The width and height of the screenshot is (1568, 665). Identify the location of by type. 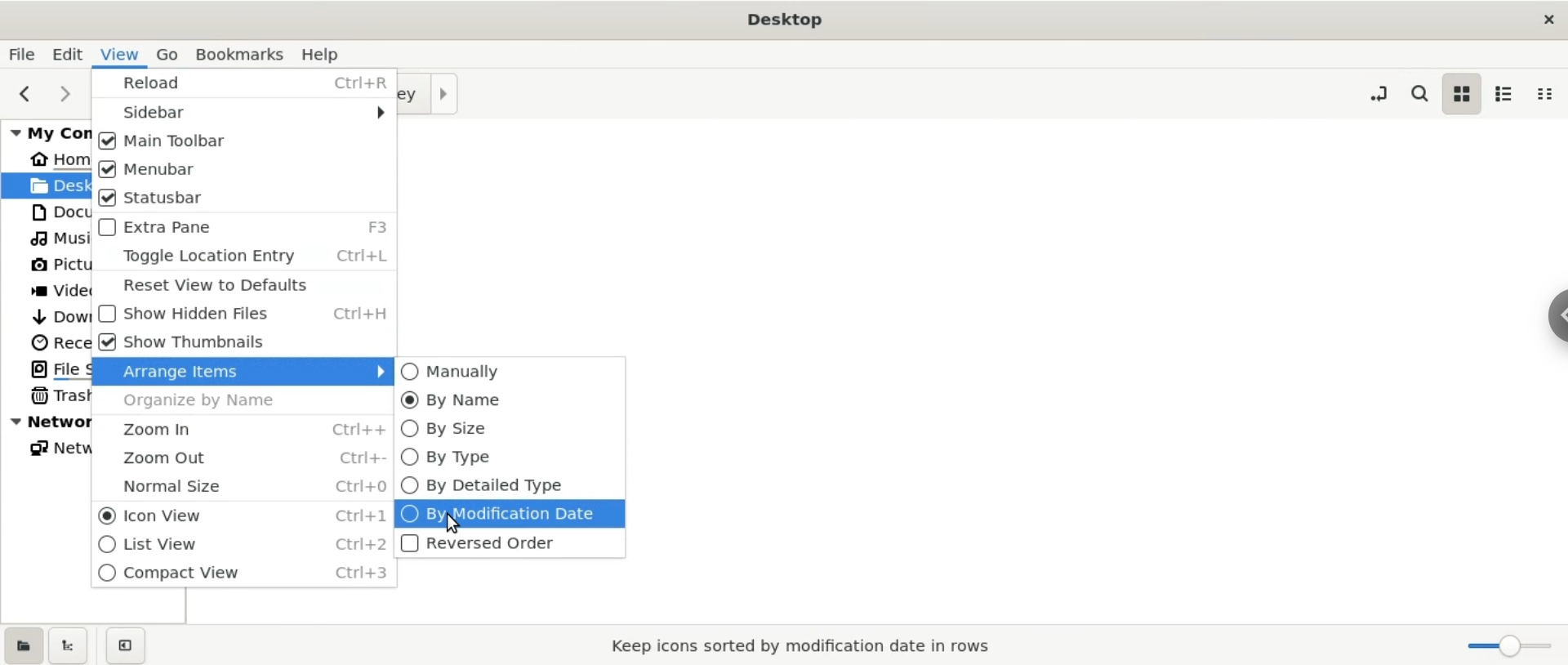
(512, 458).